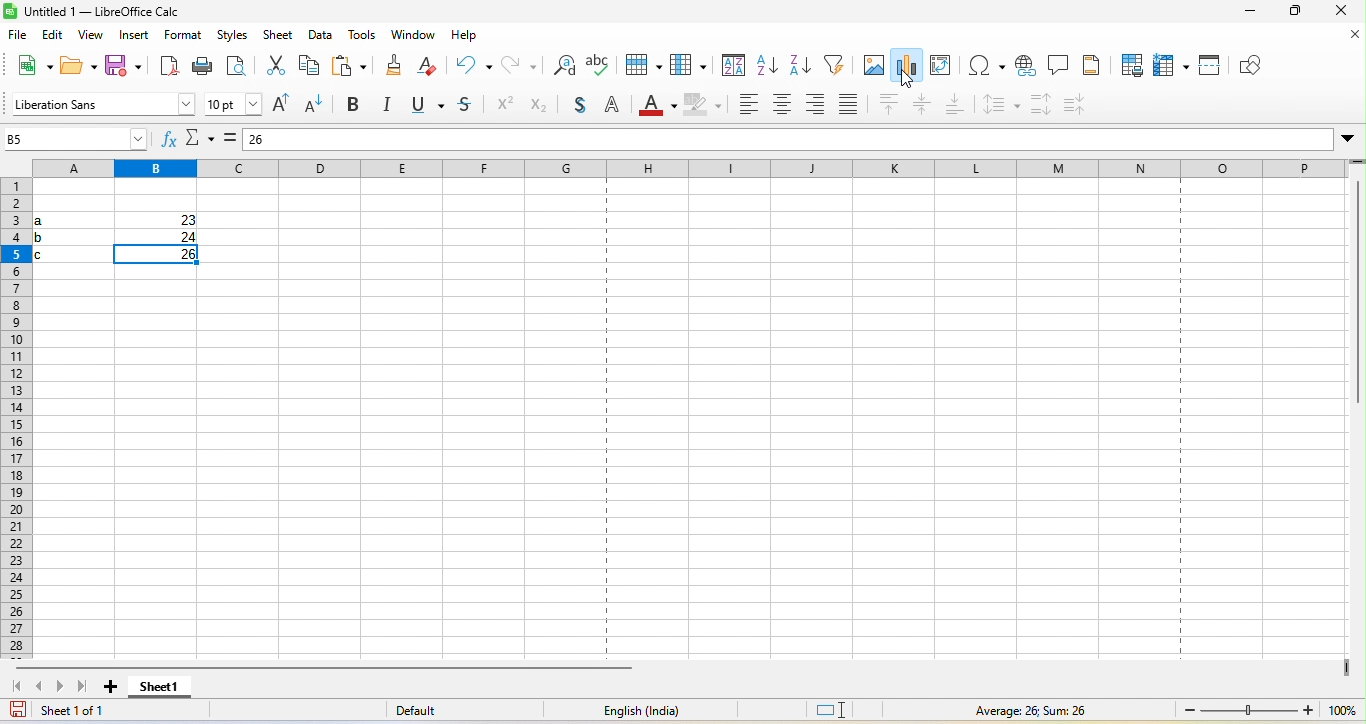 This screenshot has width=1366, height=724. What do you see at coordinates (427, 107) in the screenshot?
I see `underline` at bounding box center [427, 107].